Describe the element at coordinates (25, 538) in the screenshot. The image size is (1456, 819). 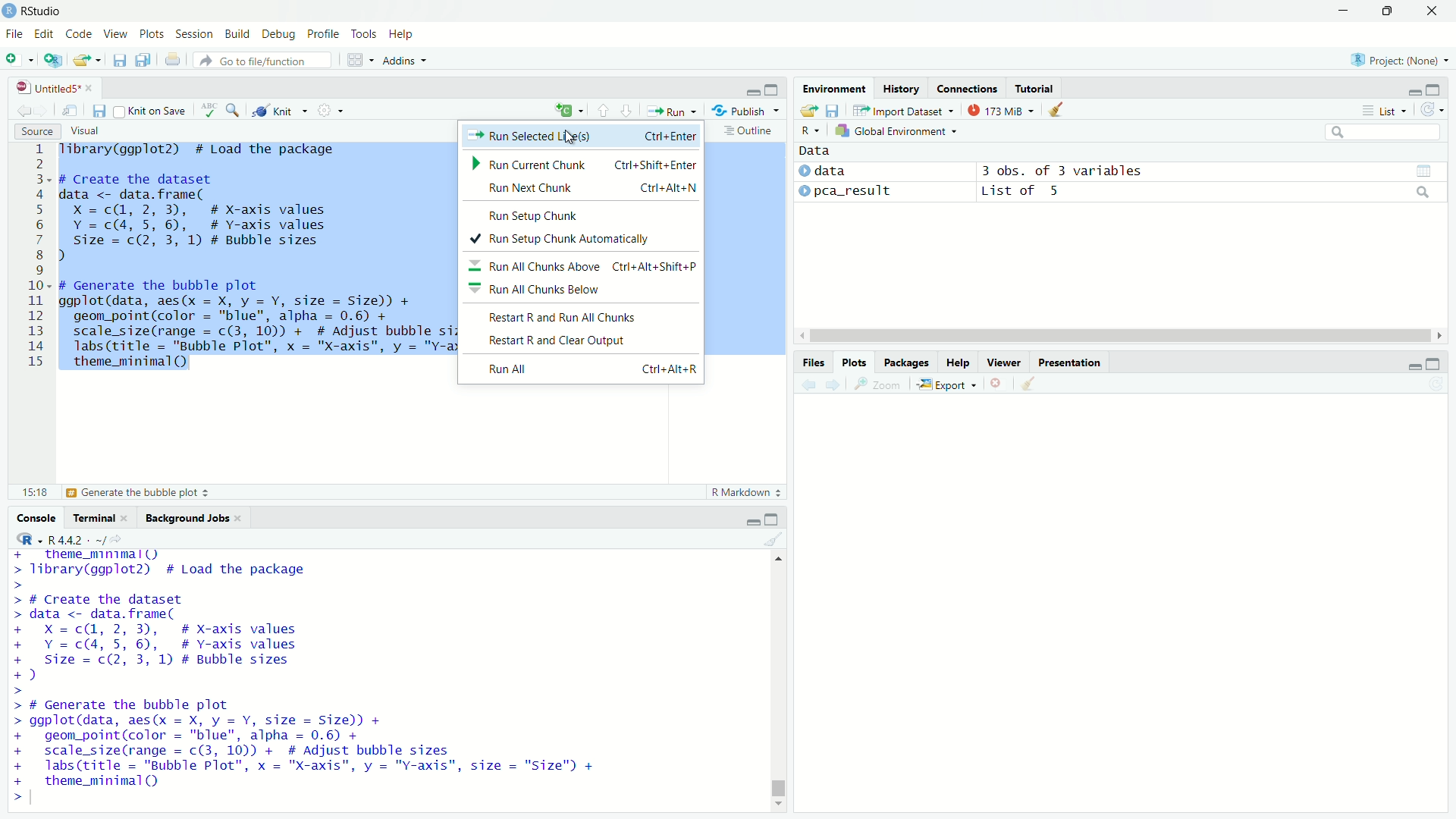
I see `R language` at that location.